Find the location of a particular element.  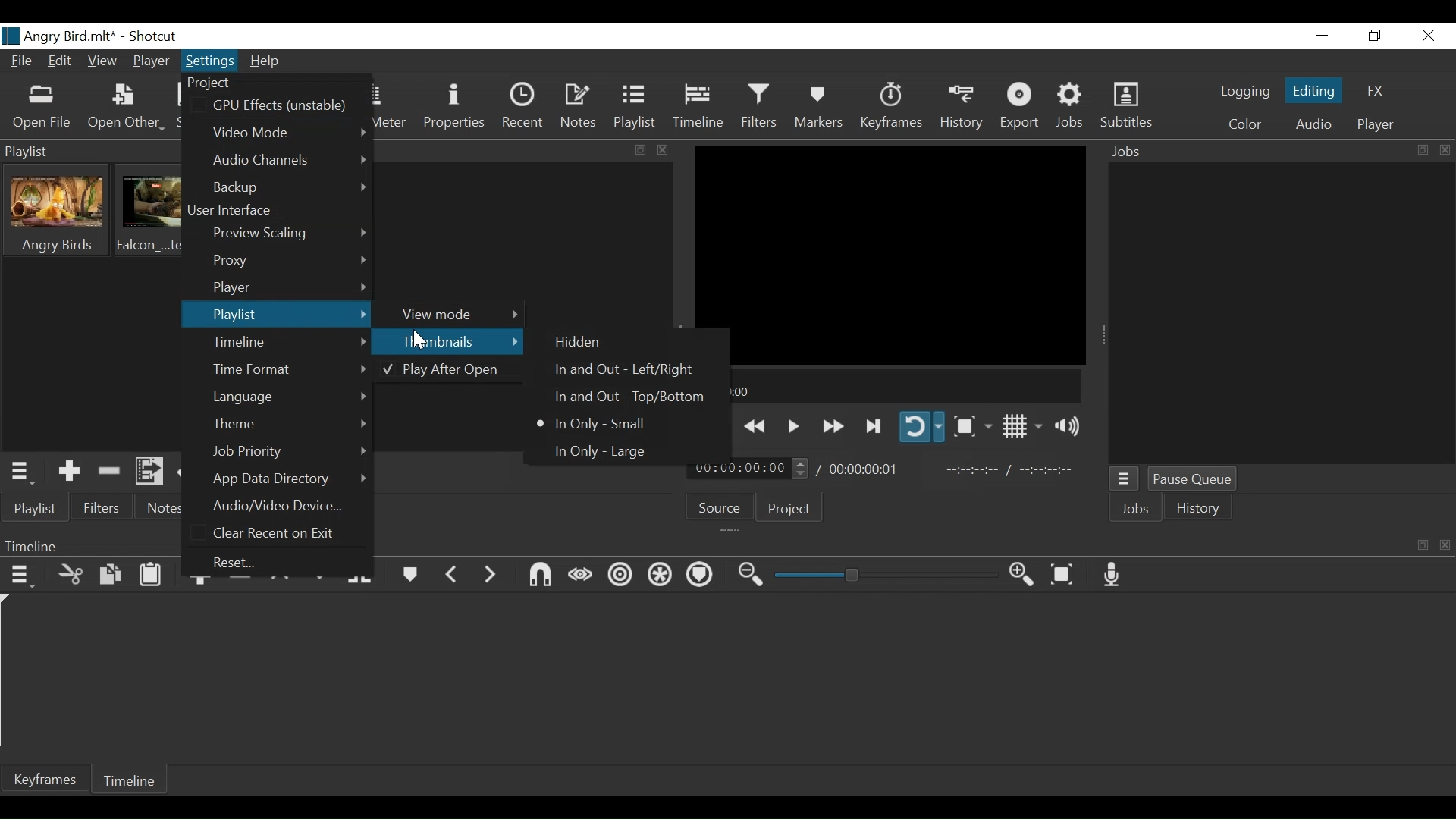

FX is located at coordinates (1376, 91).